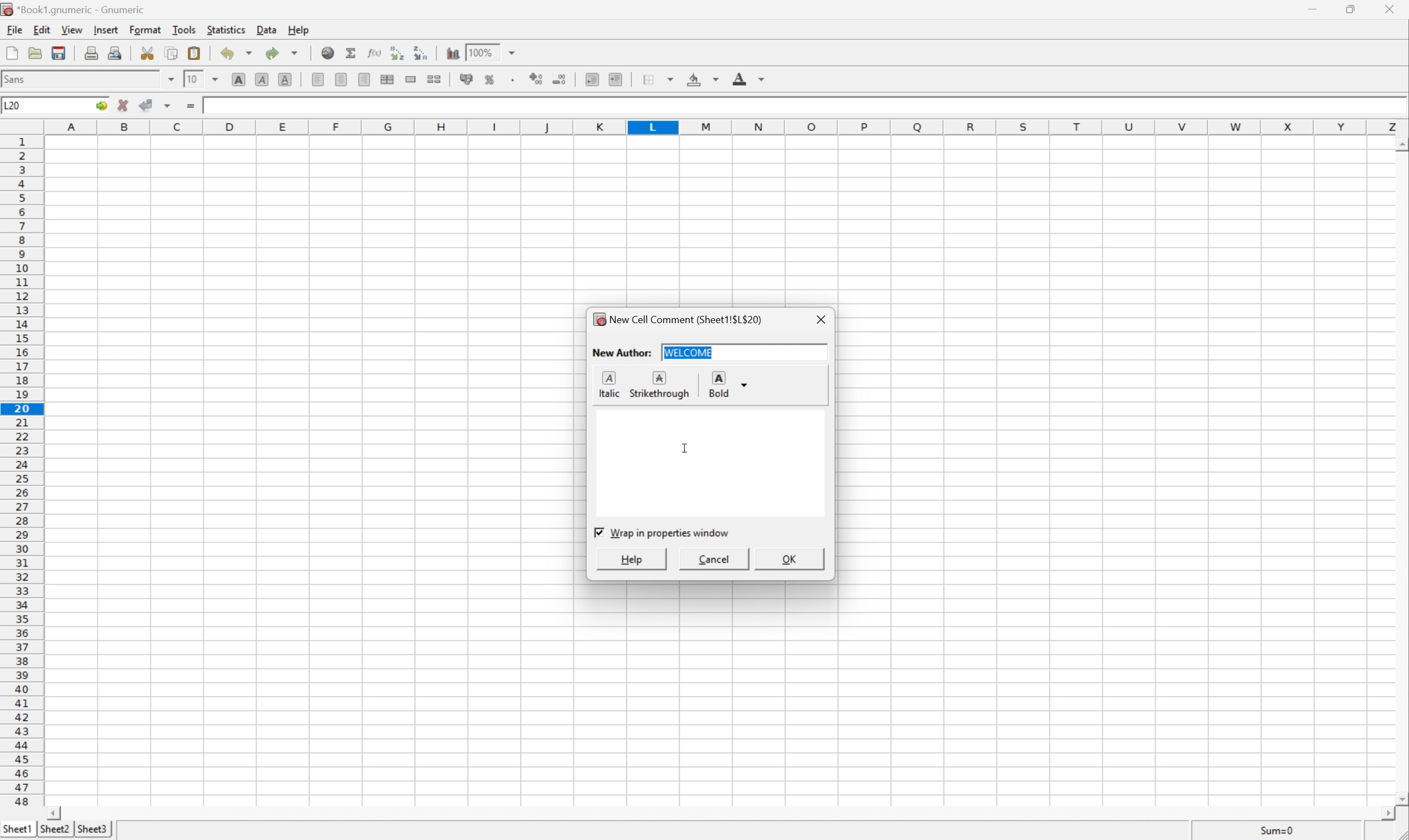 Image resolution: width=1409 pixels, height=840 pixels. Describe the element at coordinates (317, 80) in the screenshot. I see `Align Left` at that location.